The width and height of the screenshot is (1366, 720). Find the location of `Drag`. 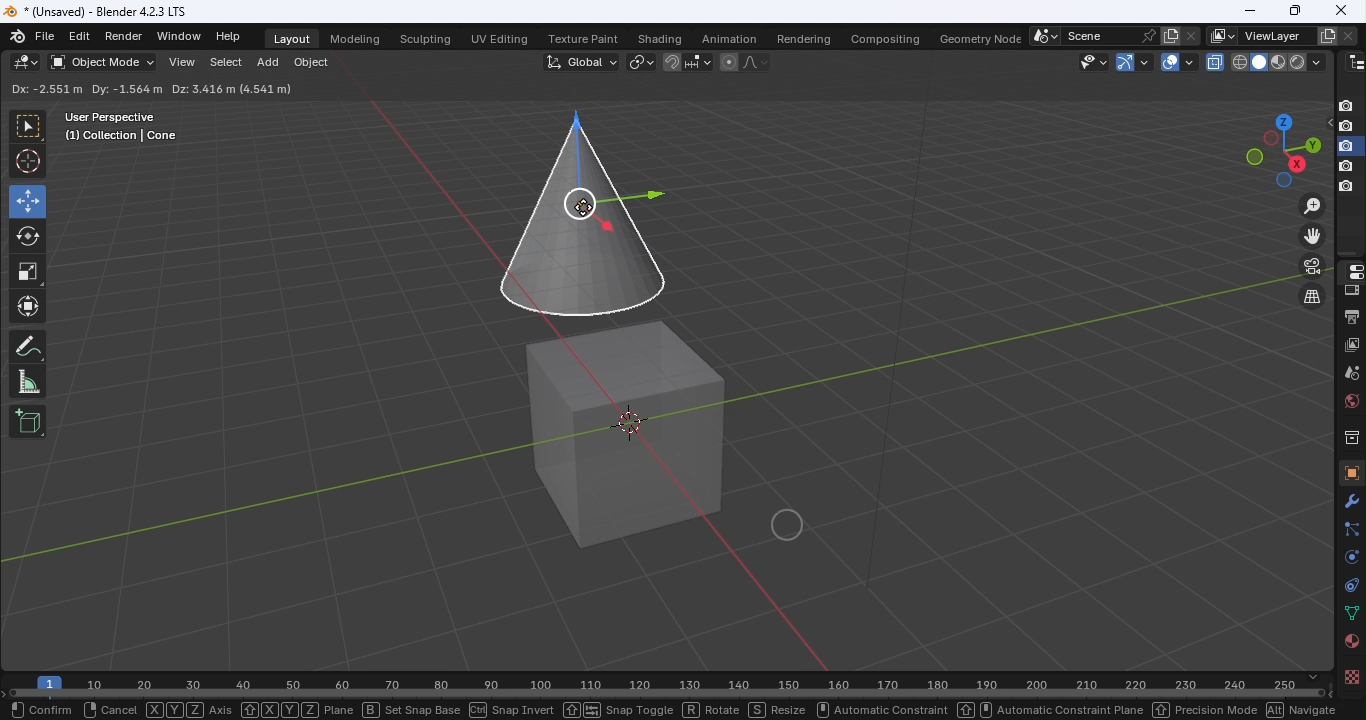

Drag is located at coordinates (201, 88).